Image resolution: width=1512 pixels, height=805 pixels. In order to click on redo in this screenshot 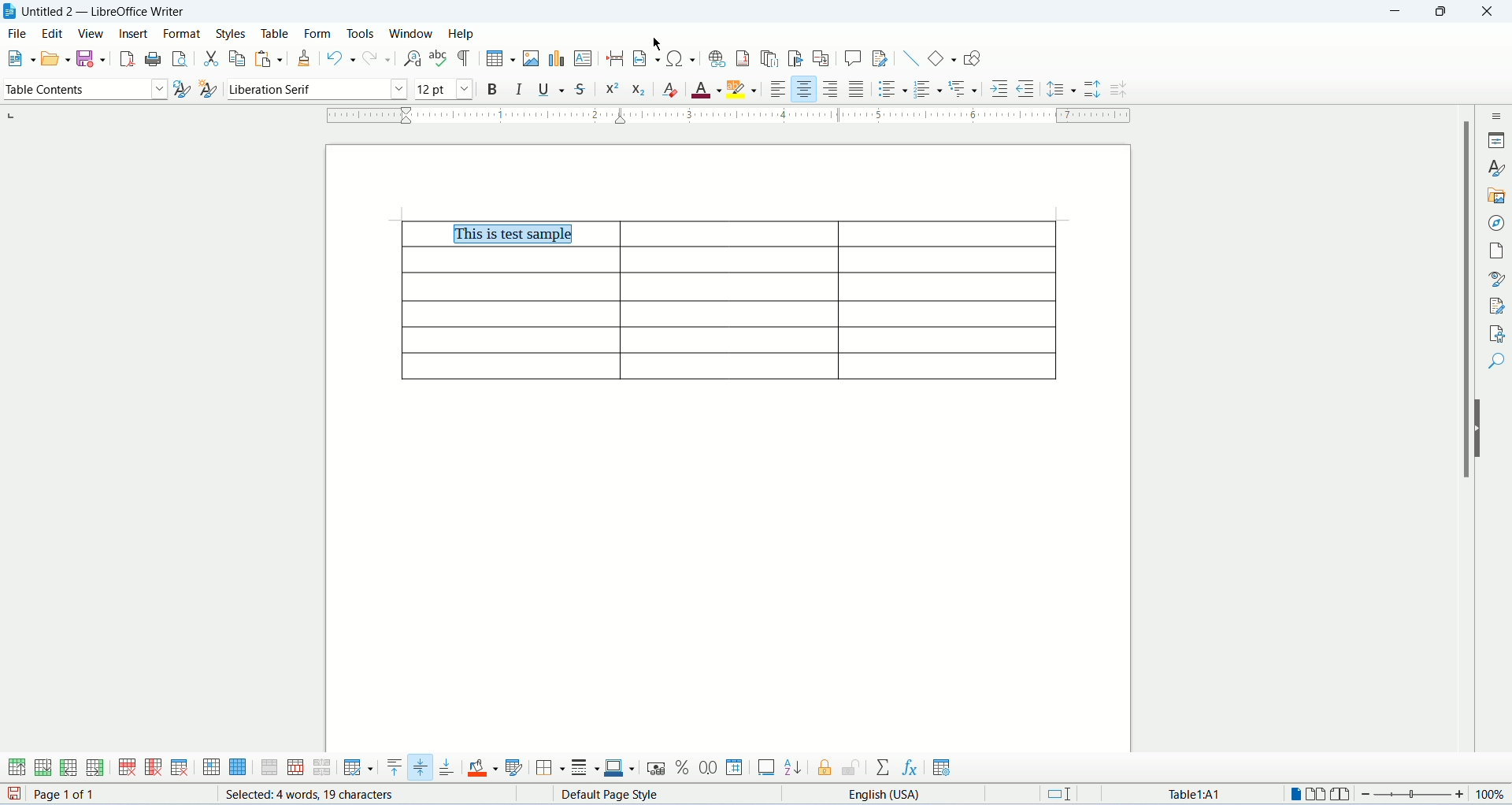, I will do `click(378, 57)`.